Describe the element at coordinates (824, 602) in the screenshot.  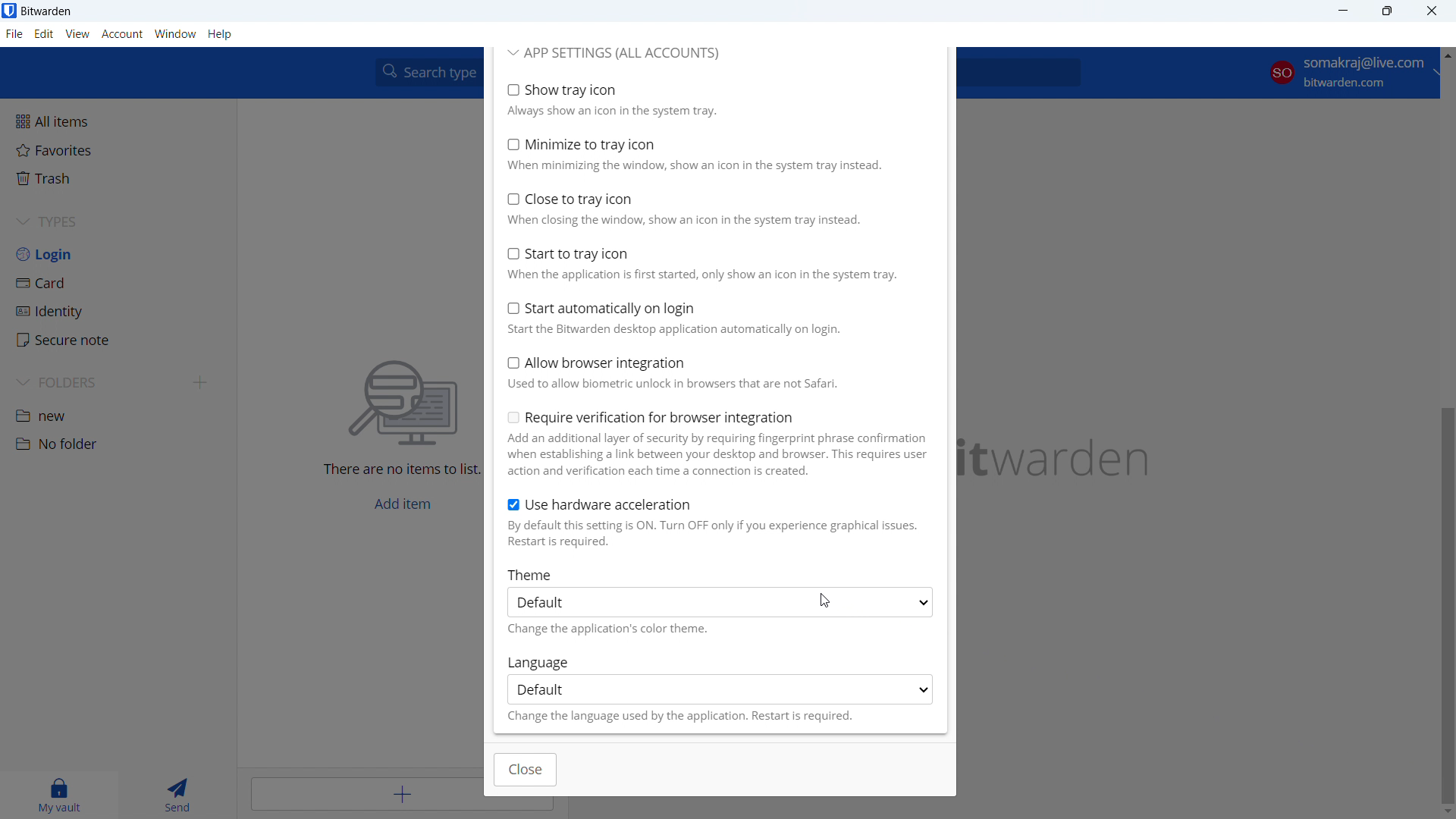
I see `cursor` at that location.